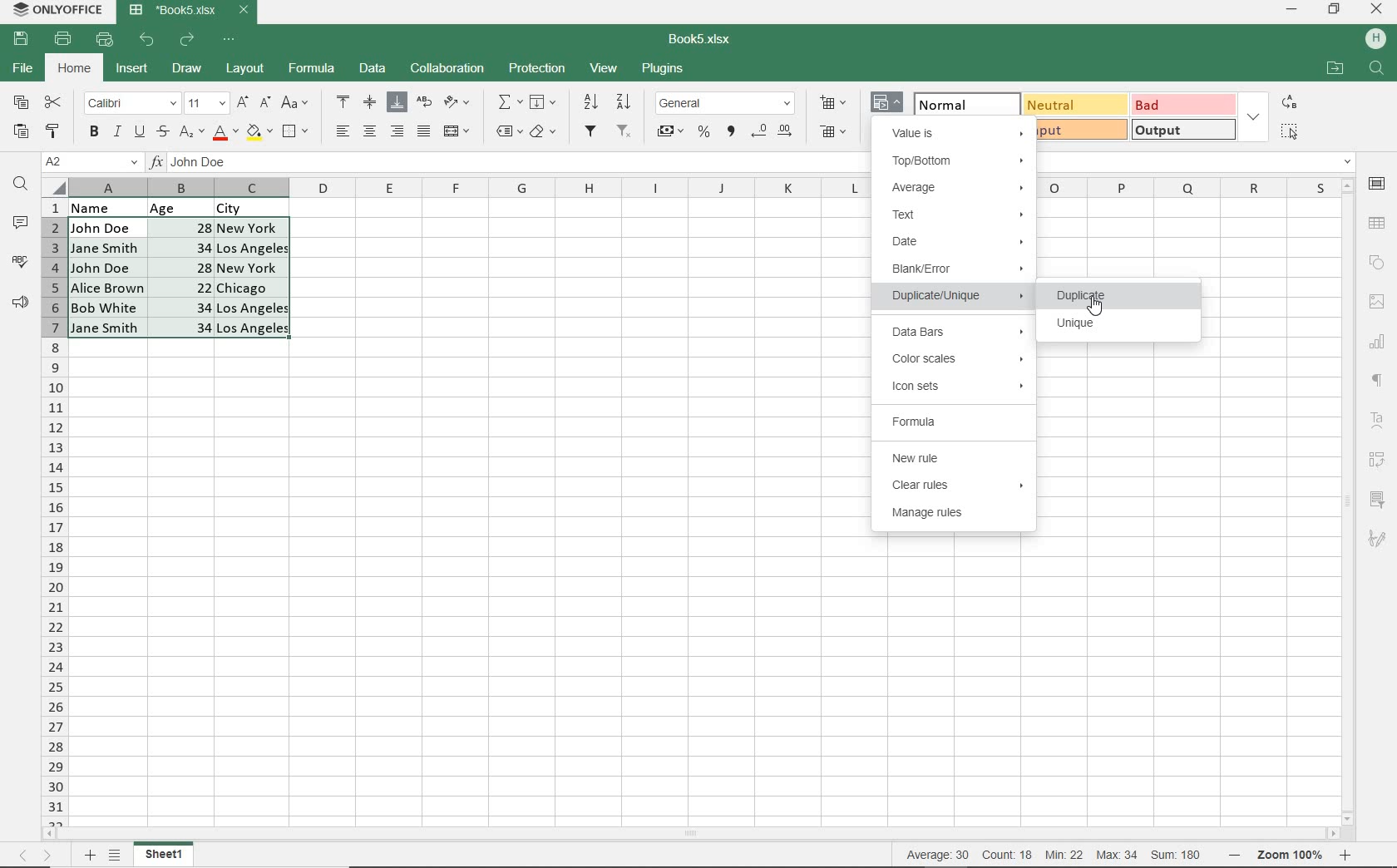 This screenshot has width=1397, height=868. What do you see at coordinates (21, 185) in the screenshot?
I see `FIND` at bounding box center [21, 185].